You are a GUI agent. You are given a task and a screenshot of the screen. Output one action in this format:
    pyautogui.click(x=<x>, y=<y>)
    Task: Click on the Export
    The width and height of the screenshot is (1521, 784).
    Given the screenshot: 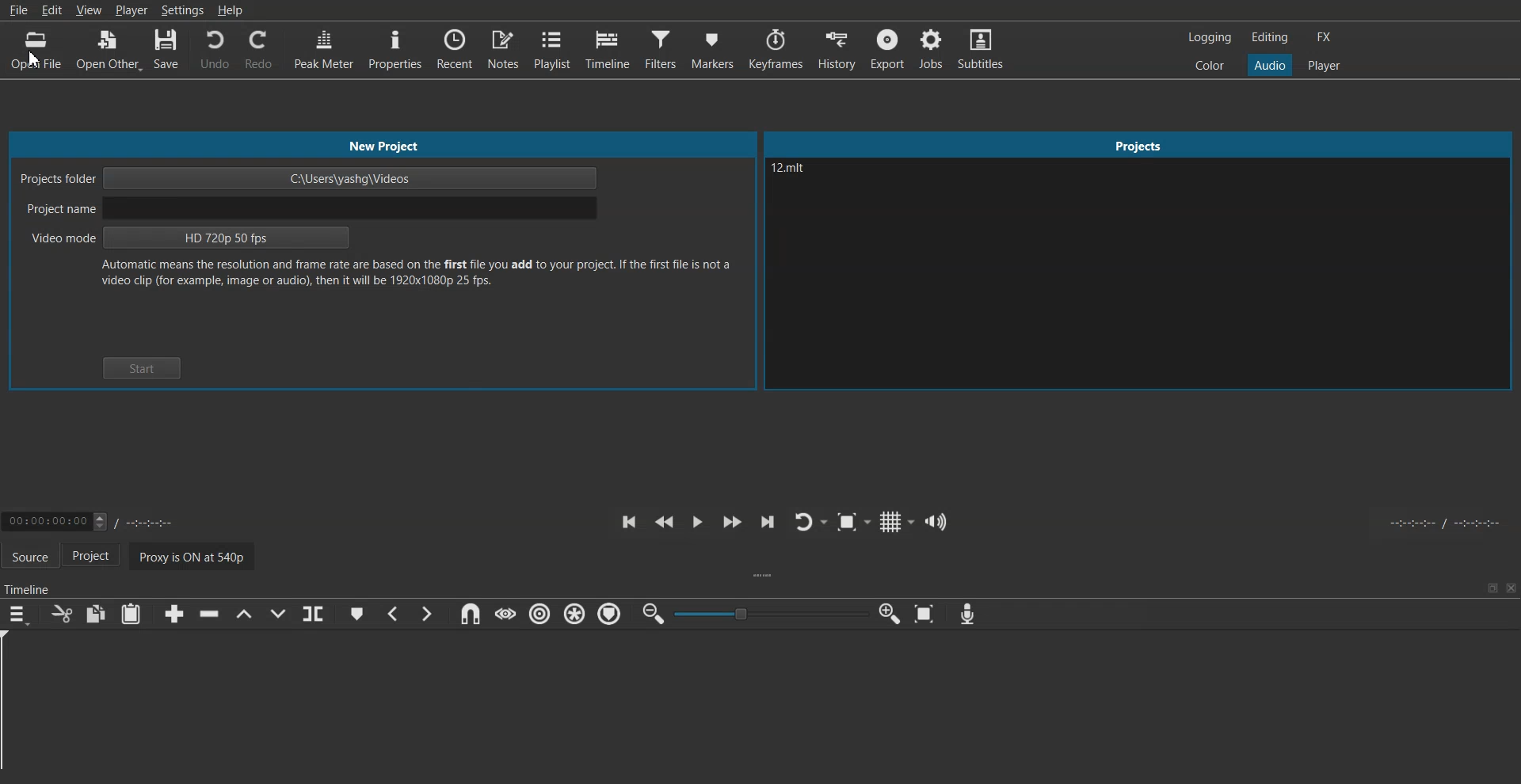 What is the action you would take?
    pyautogui.click(x=888, y=48)
    